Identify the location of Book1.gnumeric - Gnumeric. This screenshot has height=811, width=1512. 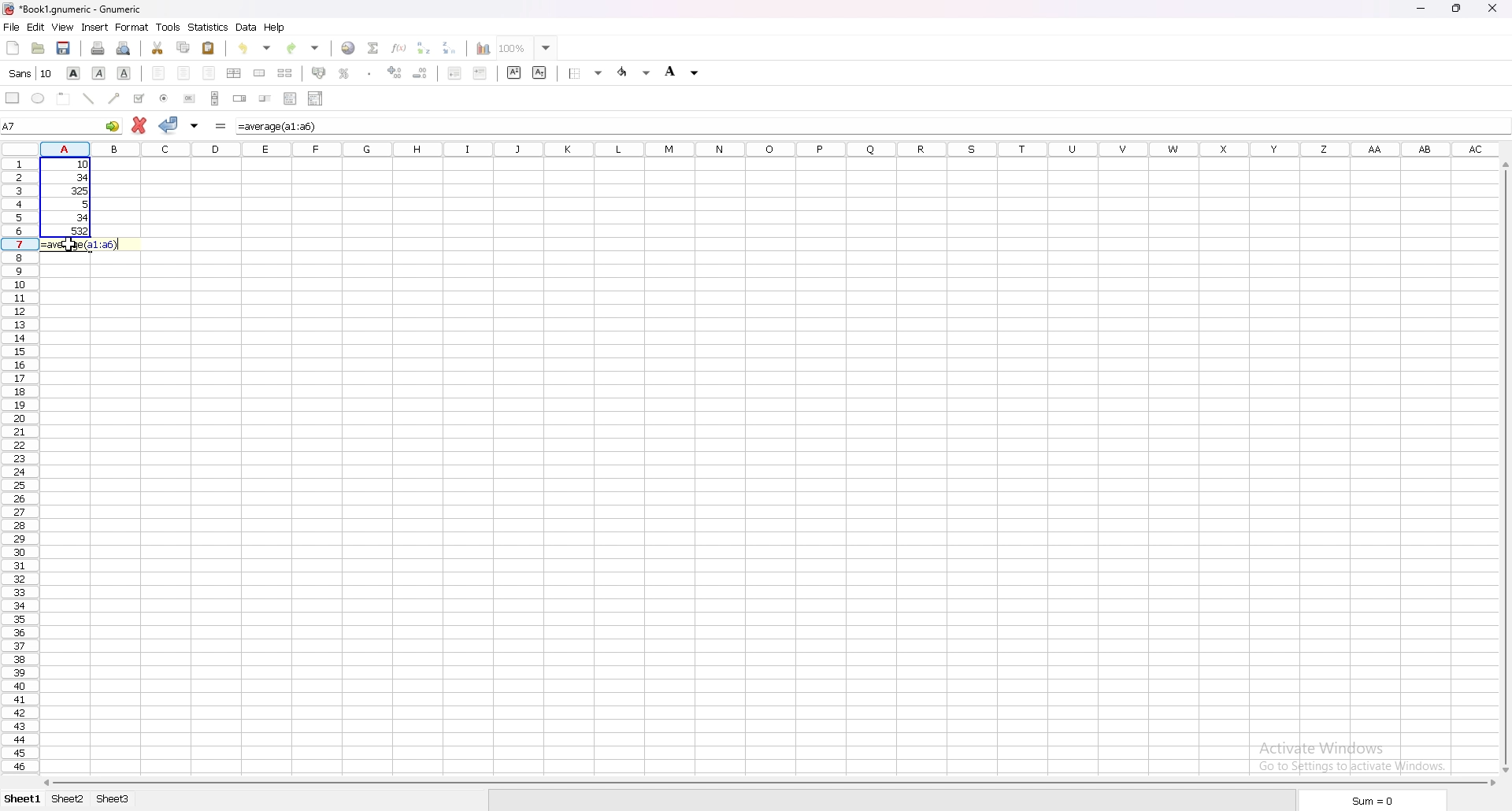
(83, 9).